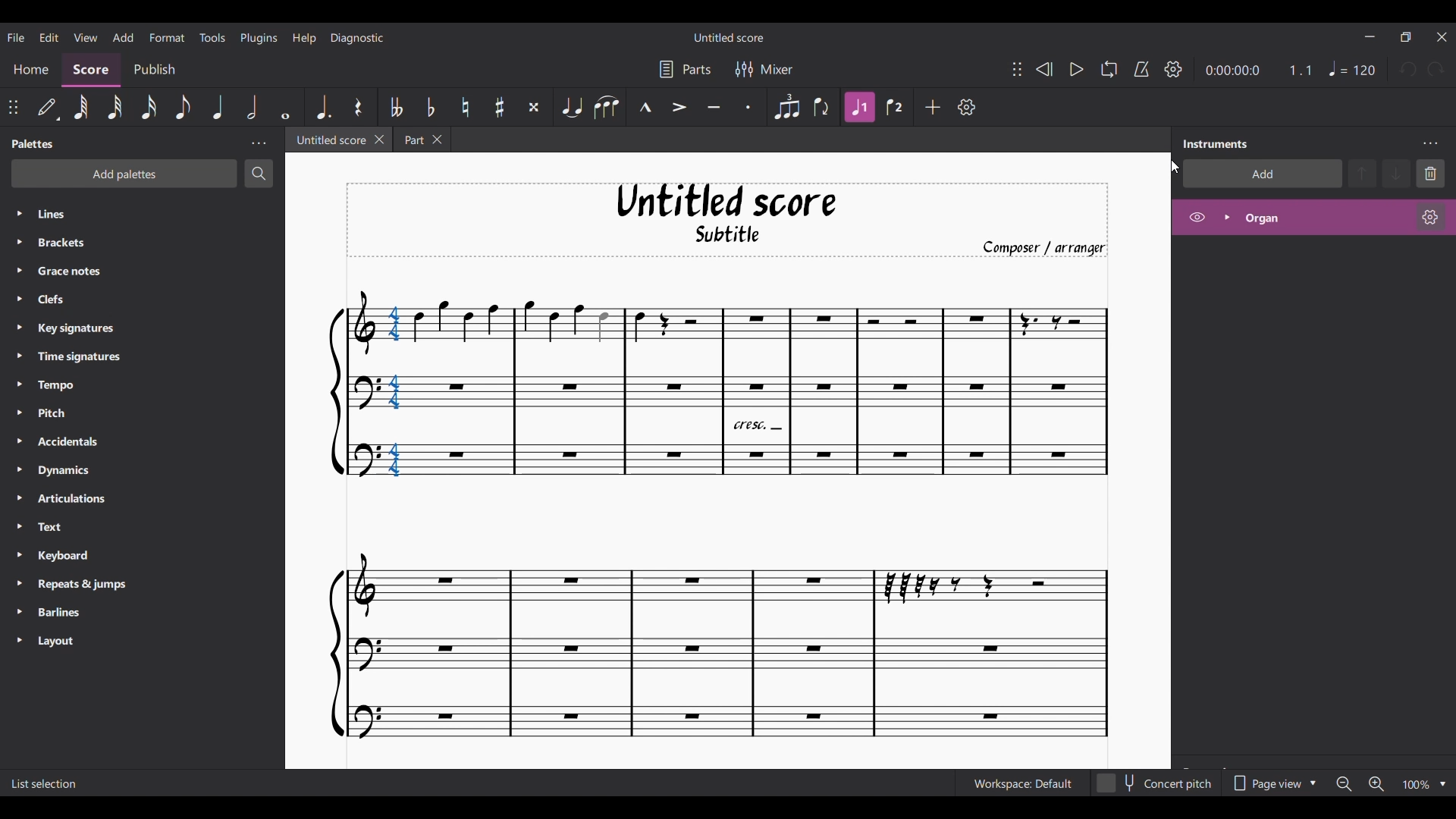  What do you see at coordinates (1430, 174) in the screenshot?
I see `Delete` at bounding box center [1430, 174].